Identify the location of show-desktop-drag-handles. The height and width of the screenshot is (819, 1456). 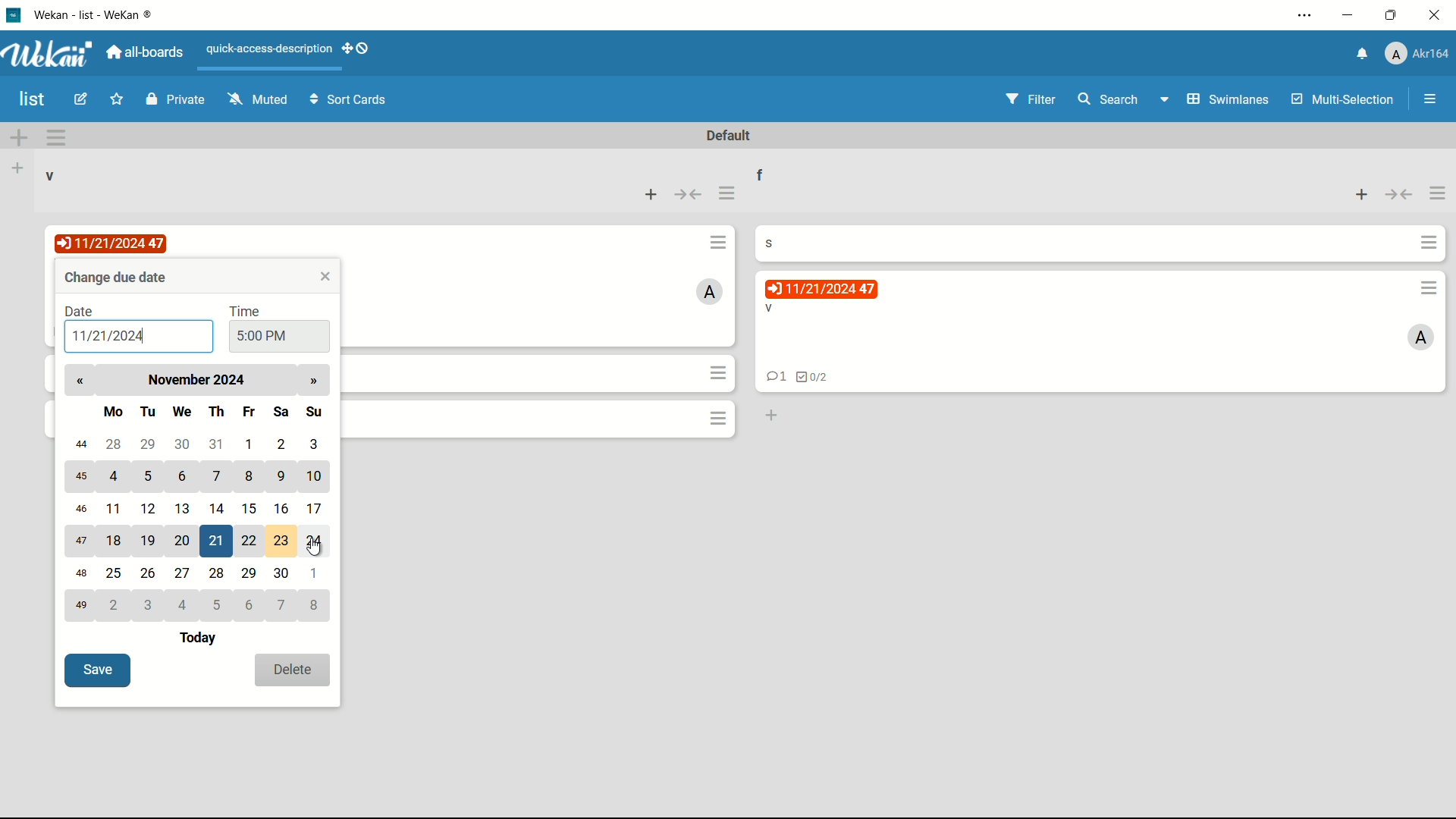
(356, 49).